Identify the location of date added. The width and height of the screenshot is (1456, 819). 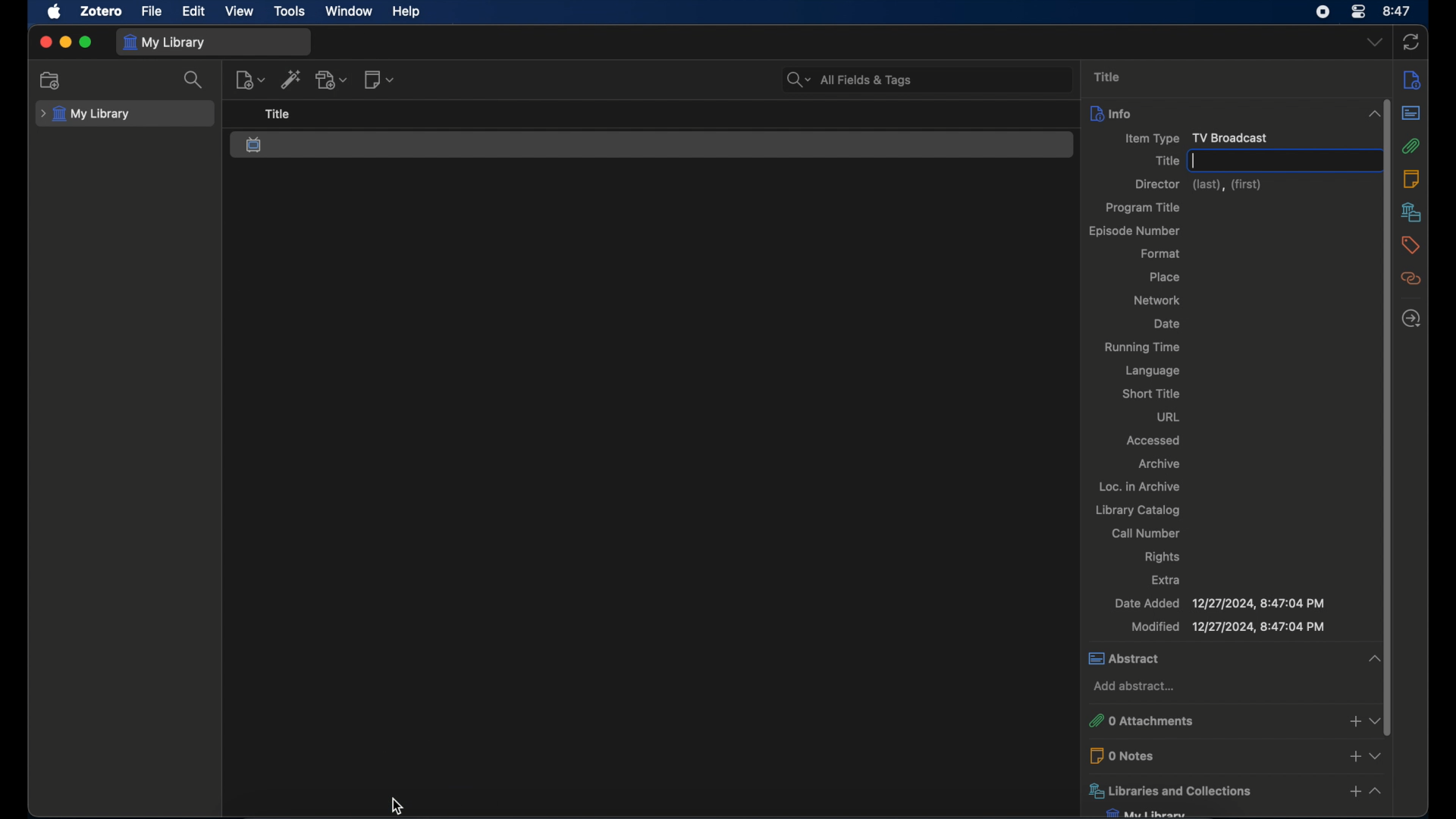
(1219, 603).